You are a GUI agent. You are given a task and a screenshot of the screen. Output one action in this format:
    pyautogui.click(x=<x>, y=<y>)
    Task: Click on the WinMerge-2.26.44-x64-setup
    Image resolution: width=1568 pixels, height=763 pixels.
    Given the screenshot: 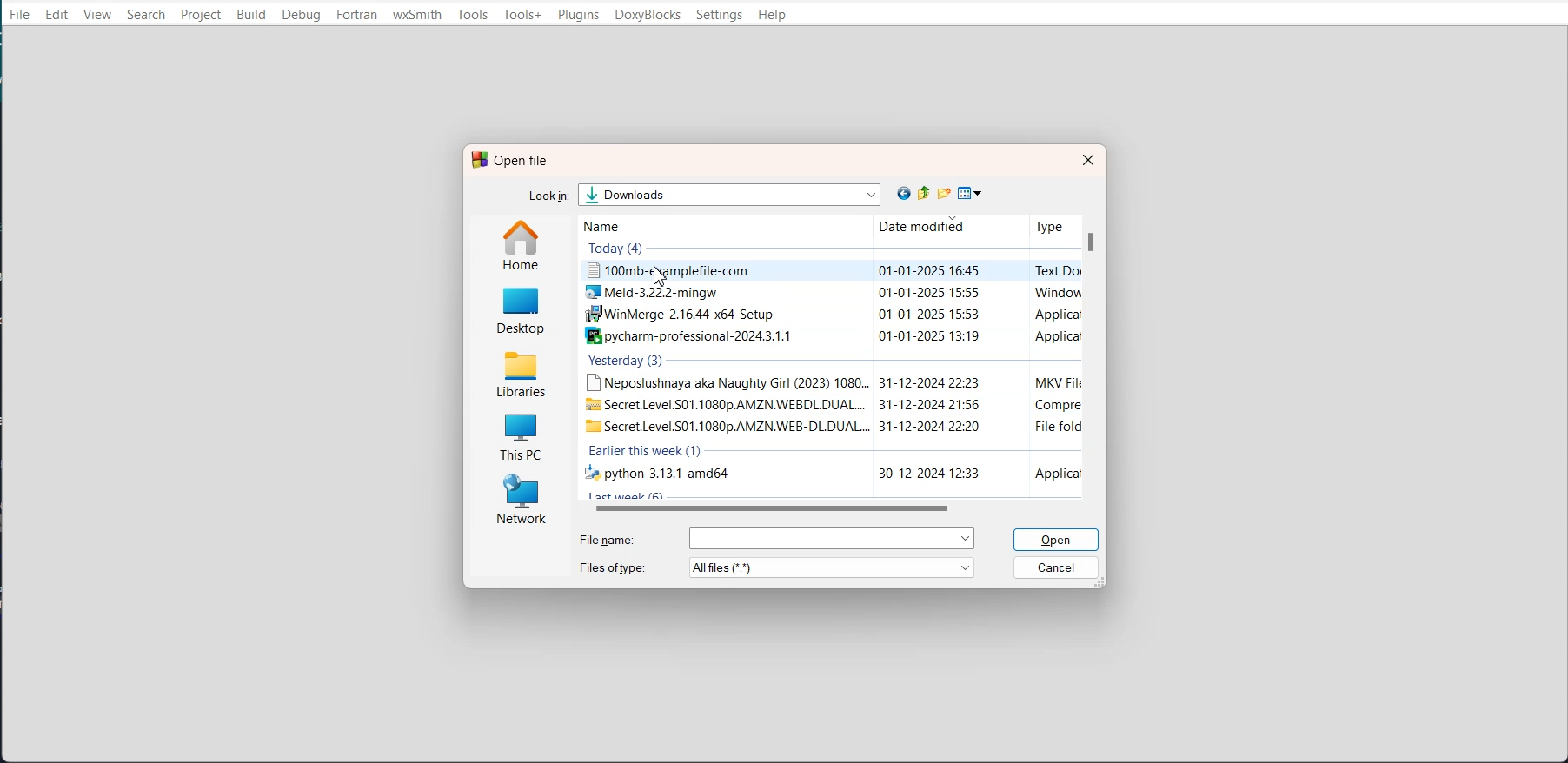 What is the action you would take?
    pyautogui.click(x=827, y=316)
    